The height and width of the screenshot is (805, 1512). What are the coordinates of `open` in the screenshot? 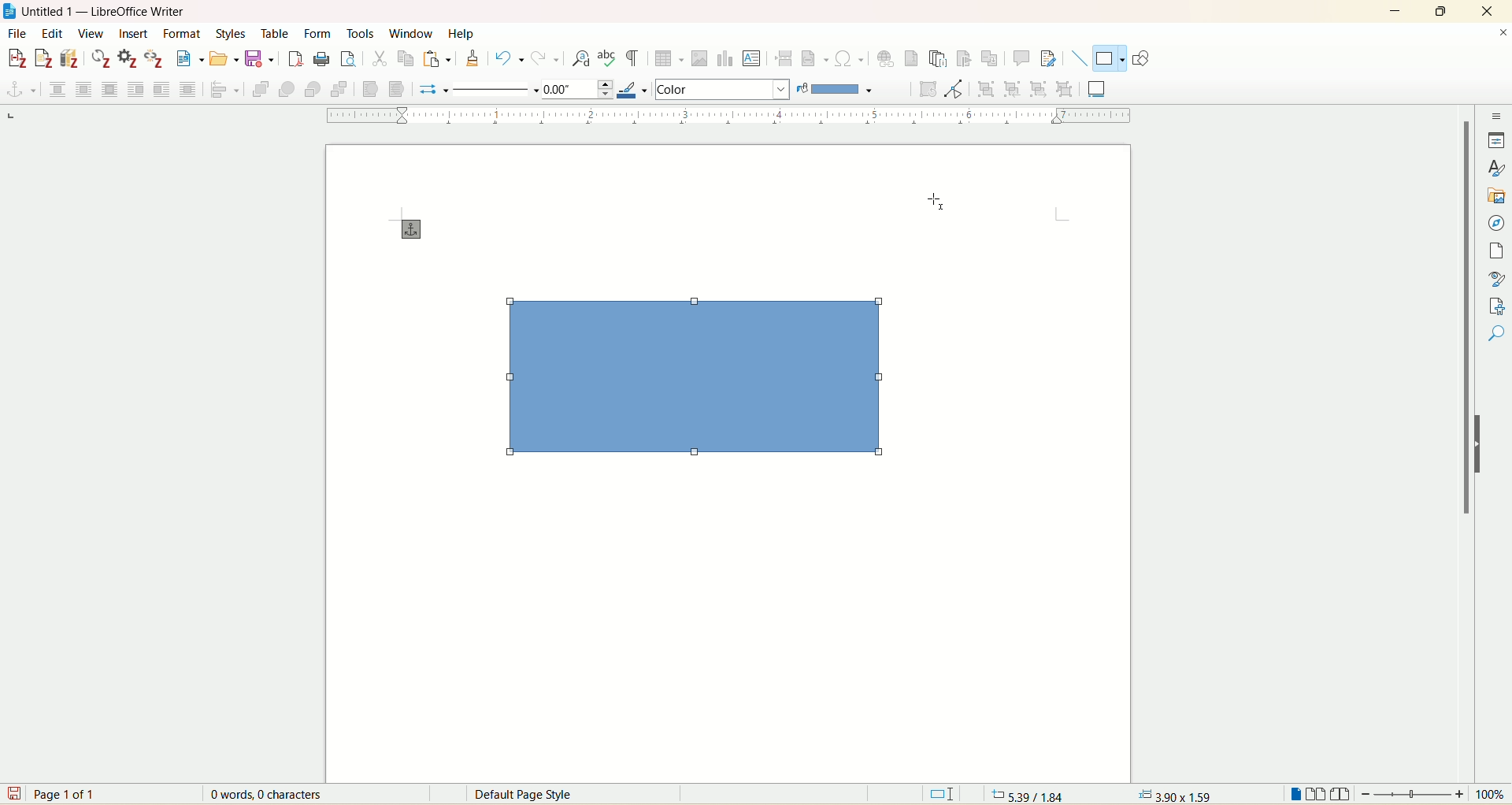 It's located at (224, 59).